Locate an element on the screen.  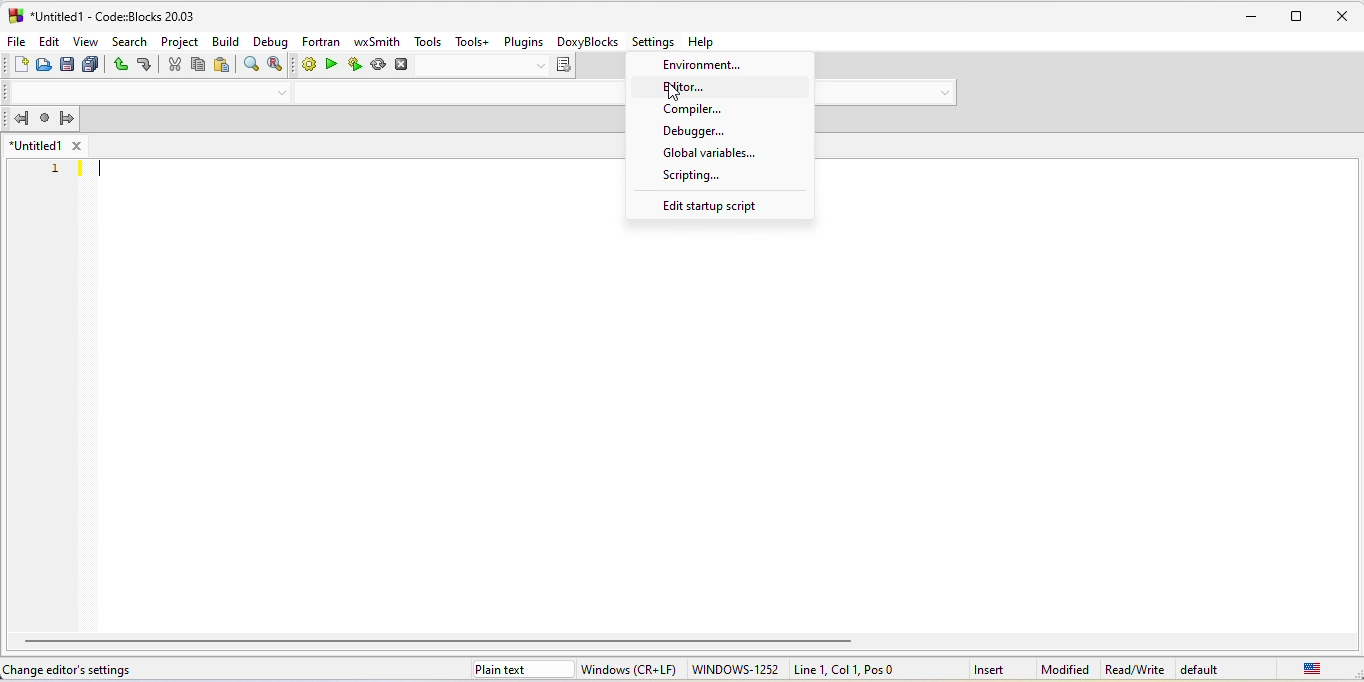
doxyblocks is located at coordinates (586, 40).